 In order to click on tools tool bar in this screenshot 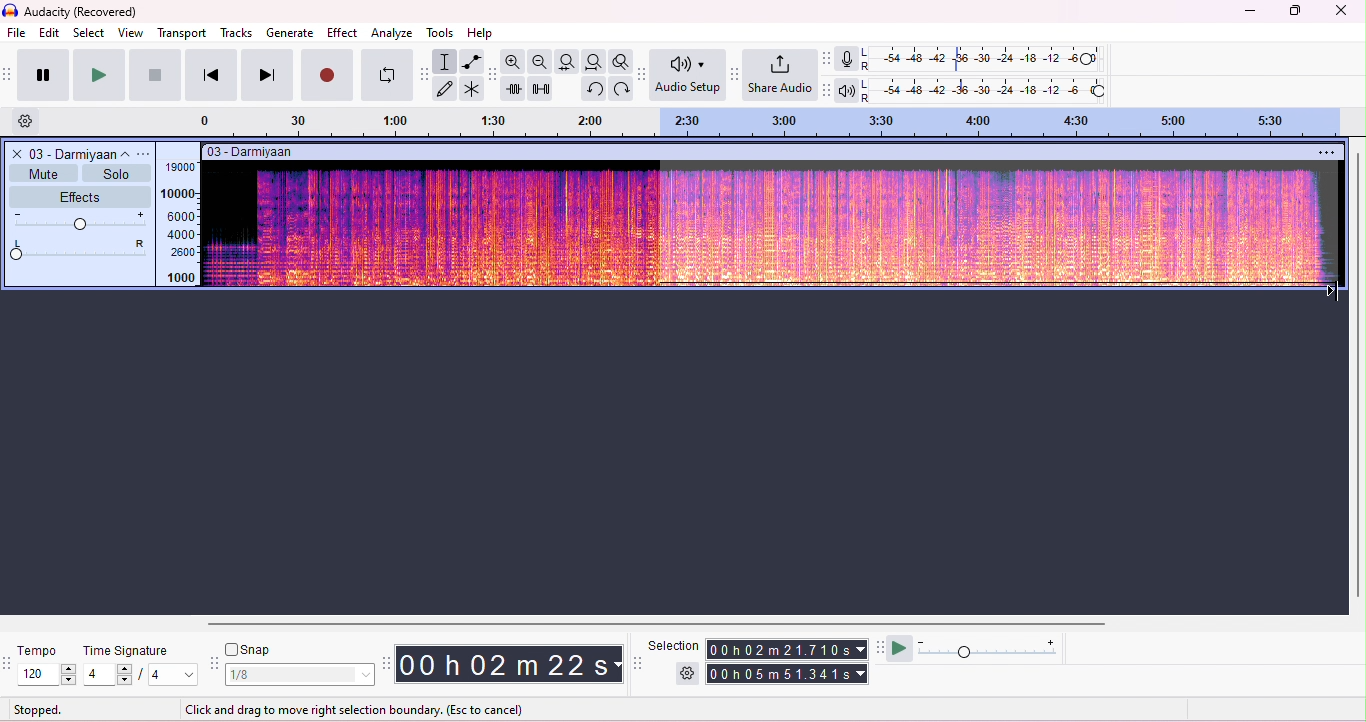, I will do `click(425, 74)`.